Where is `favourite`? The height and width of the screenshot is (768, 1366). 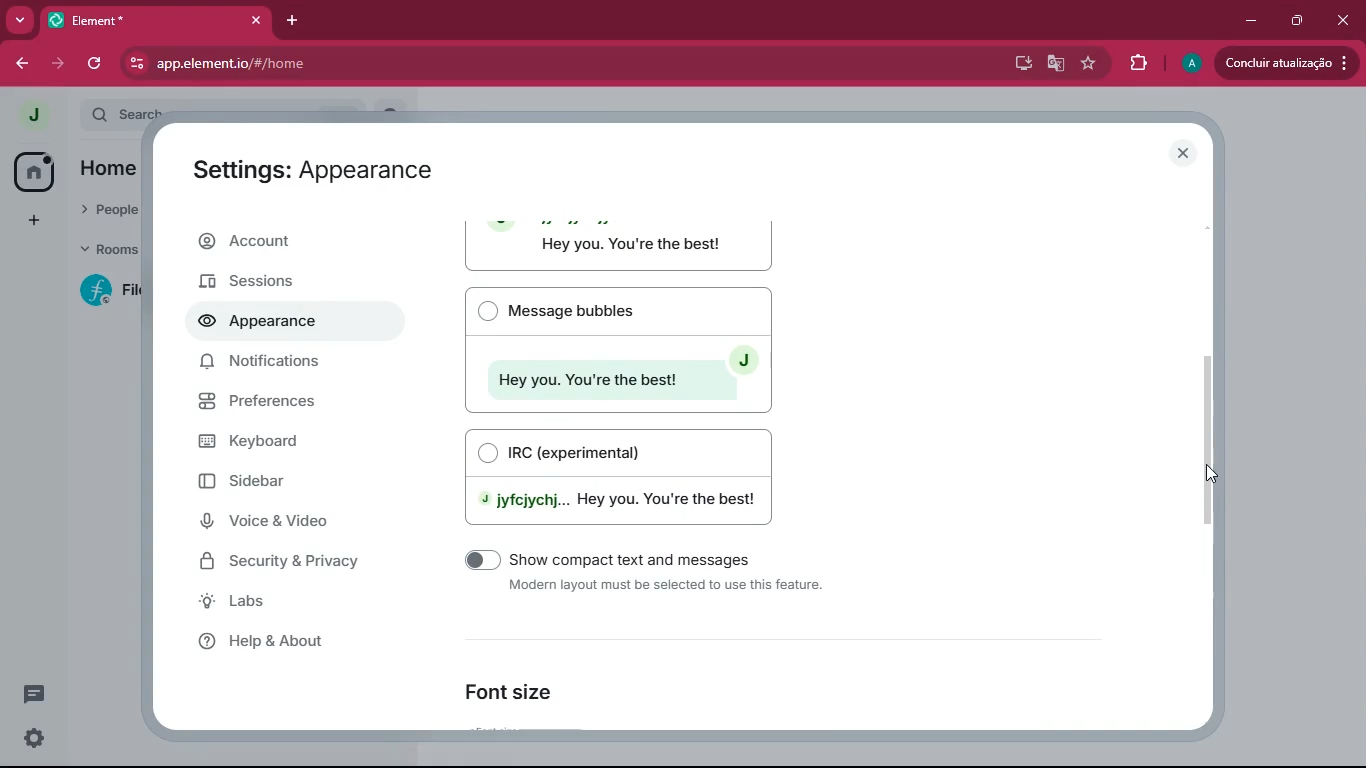
favourite is located at coordinates (1089, 63).